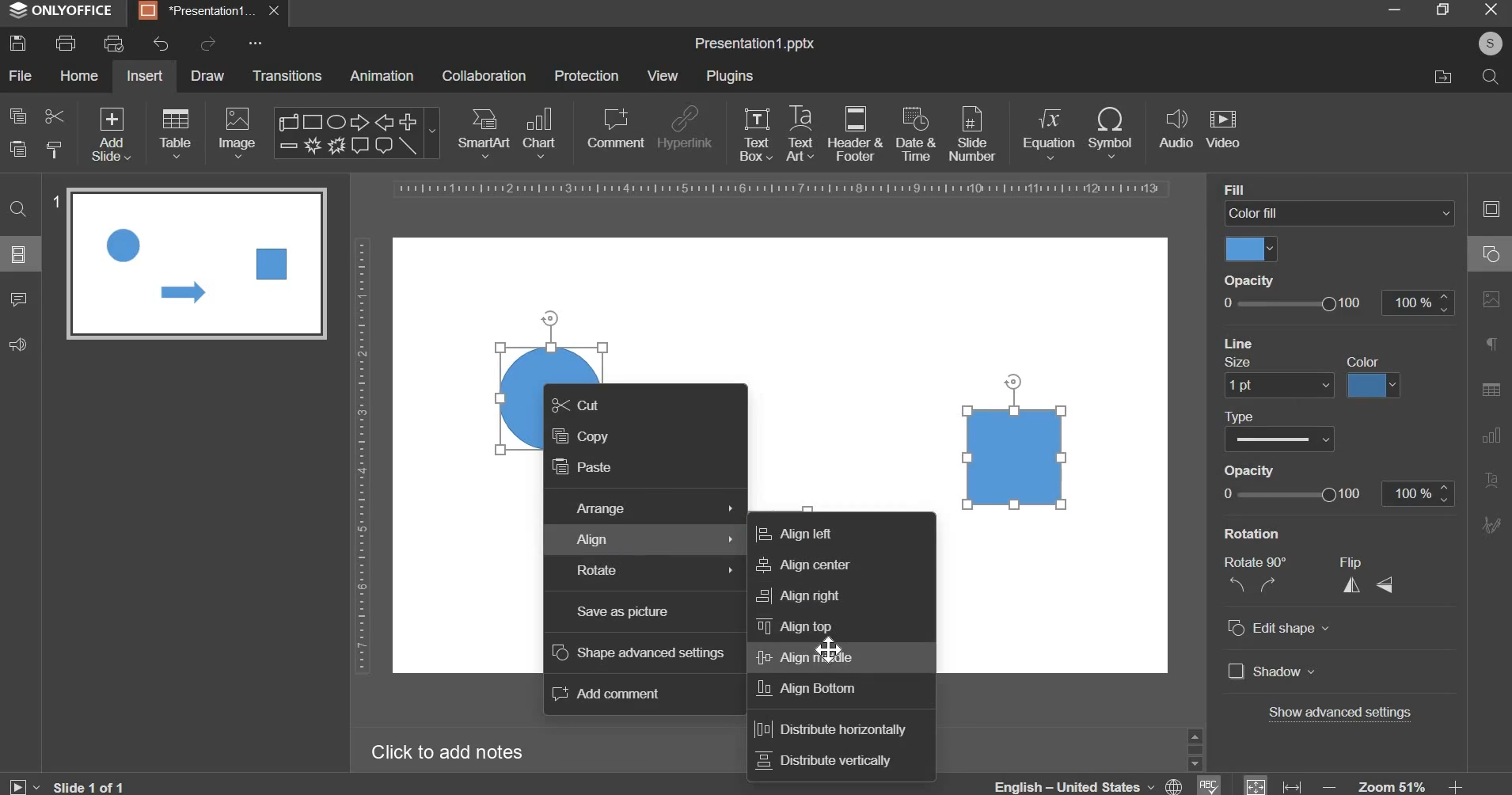 This screenshot has width=1512, height=795. Describe the element at coordinates (1335, 494) in the screenshot. I see `opacity` at that location.